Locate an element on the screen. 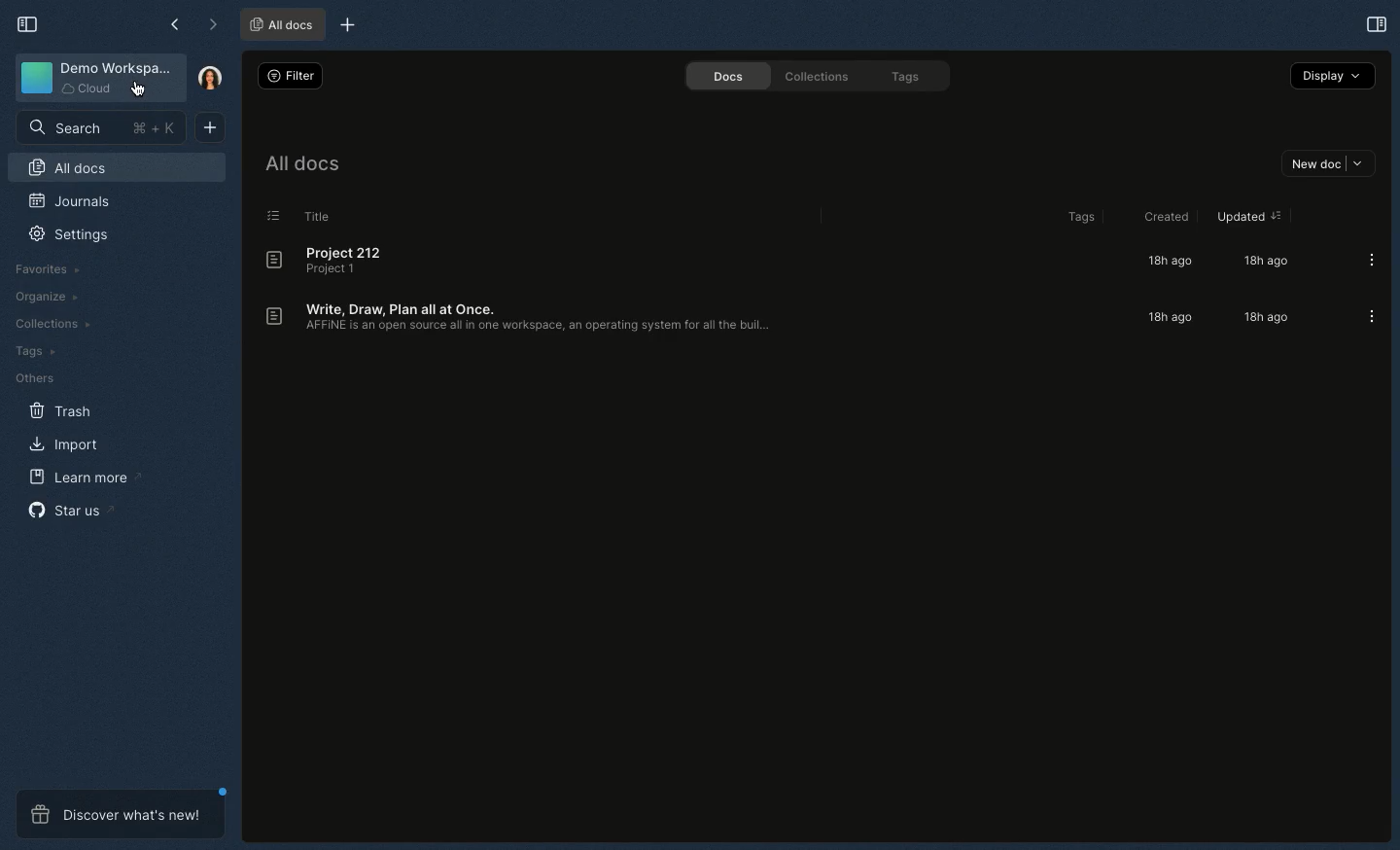 The width and height of the screenshot is (1400, 850). Trash is located at coordinates (60, 411).